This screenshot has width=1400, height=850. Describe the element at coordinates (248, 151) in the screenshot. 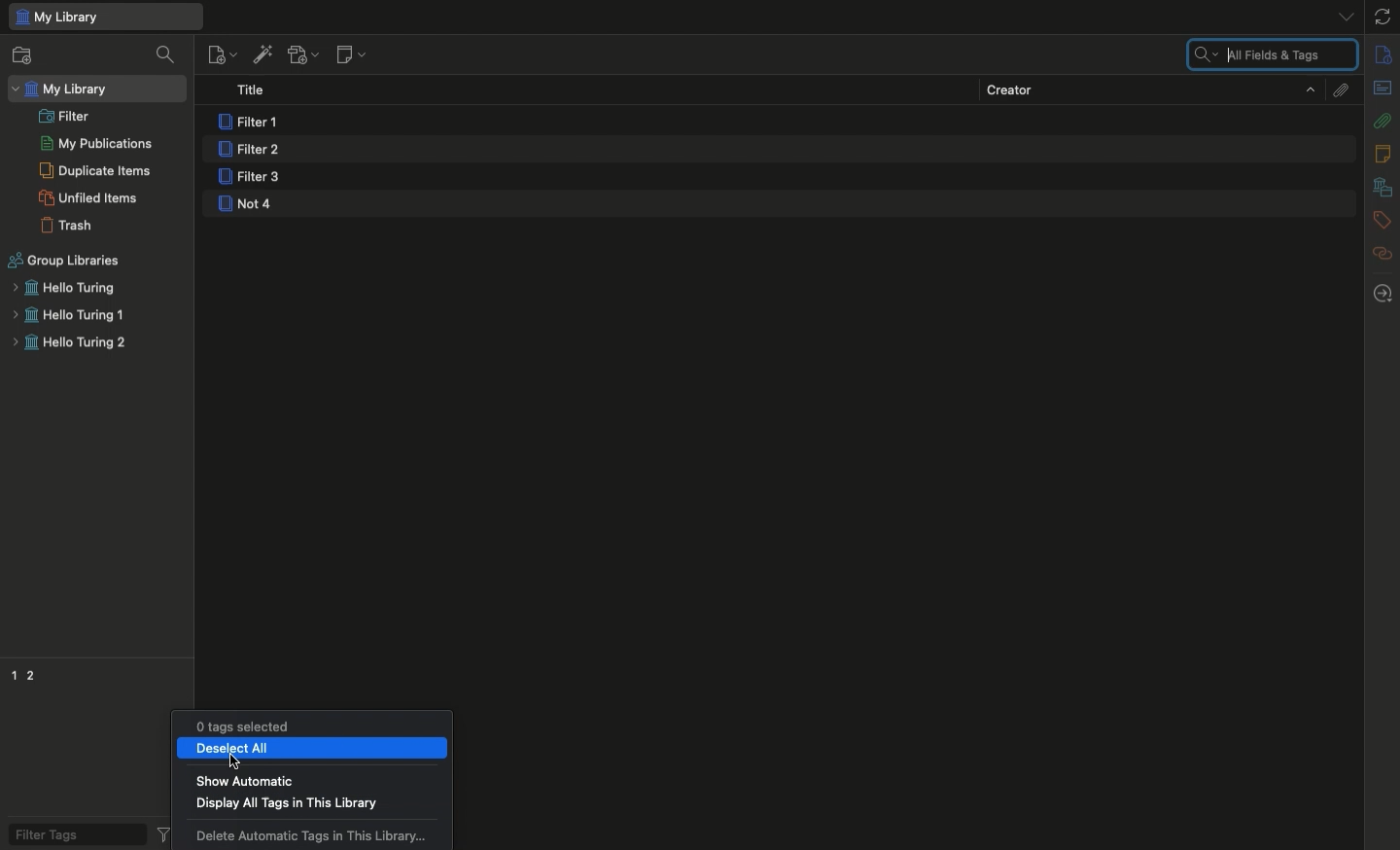

I see `Filter 2` at that location.